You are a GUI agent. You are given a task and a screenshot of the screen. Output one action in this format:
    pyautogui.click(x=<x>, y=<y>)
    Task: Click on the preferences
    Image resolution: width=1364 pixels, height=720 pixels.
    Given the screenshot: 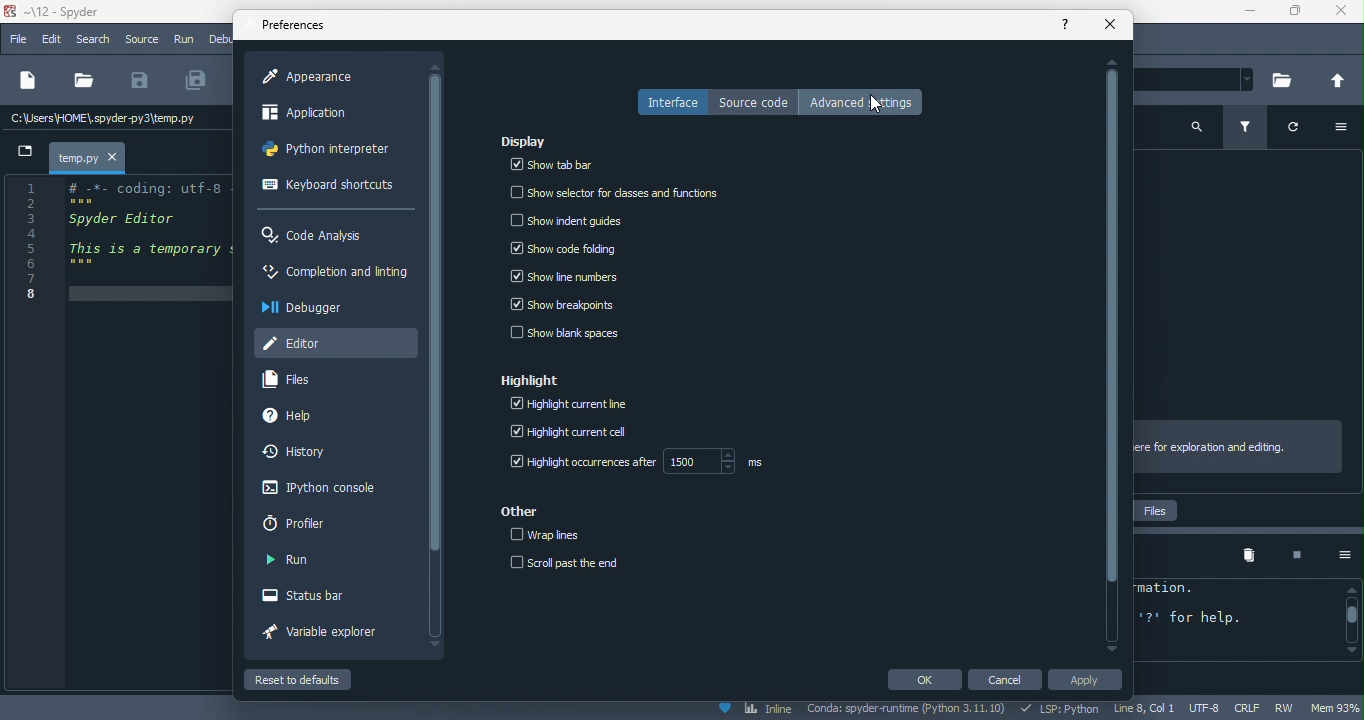 What is the action you would take?
    pyautogui.click(x=296, y=26)
    